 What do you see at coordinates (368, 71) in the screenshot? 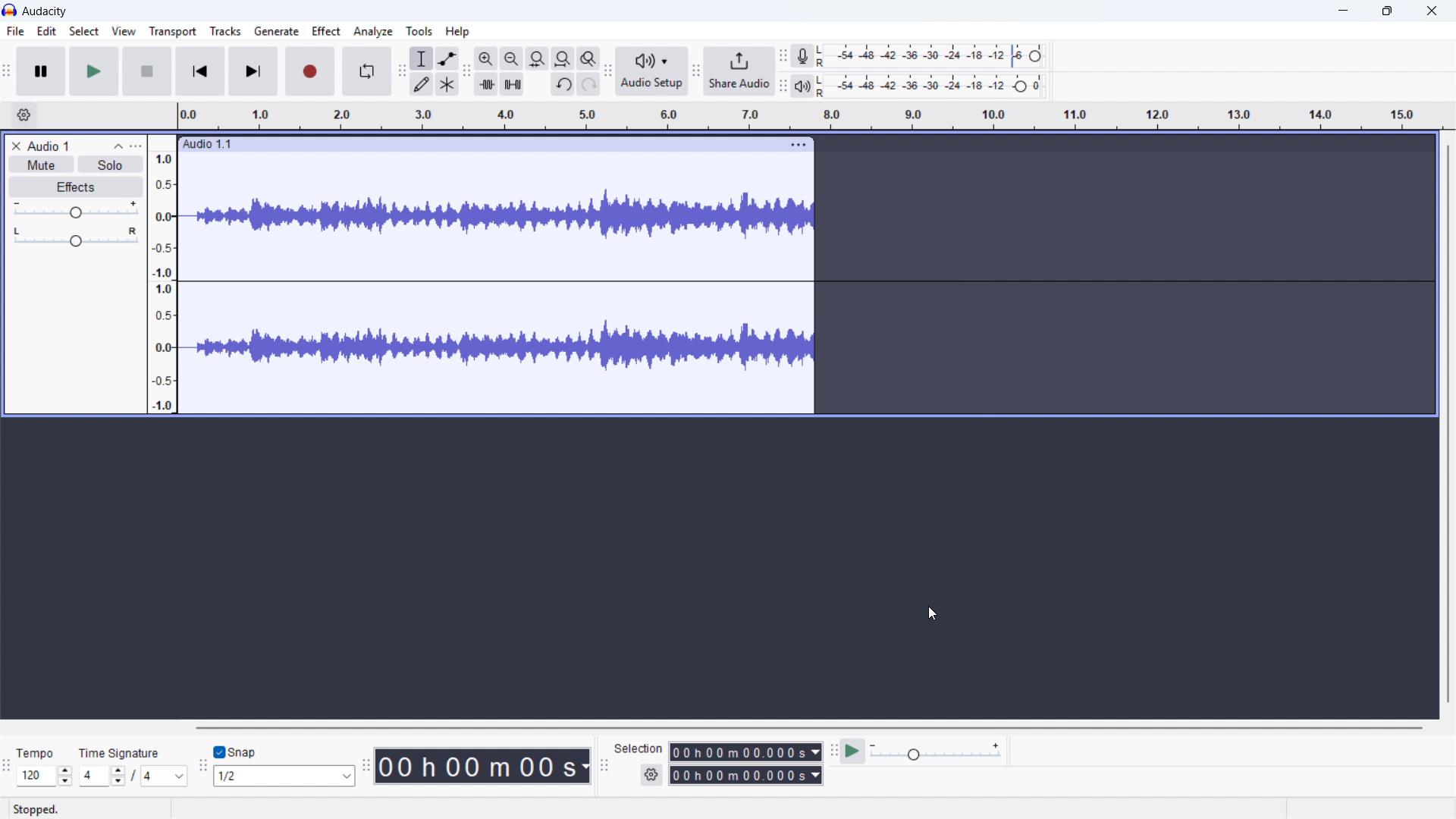
I see `Enable loop ` at bounding box center [368, 71].